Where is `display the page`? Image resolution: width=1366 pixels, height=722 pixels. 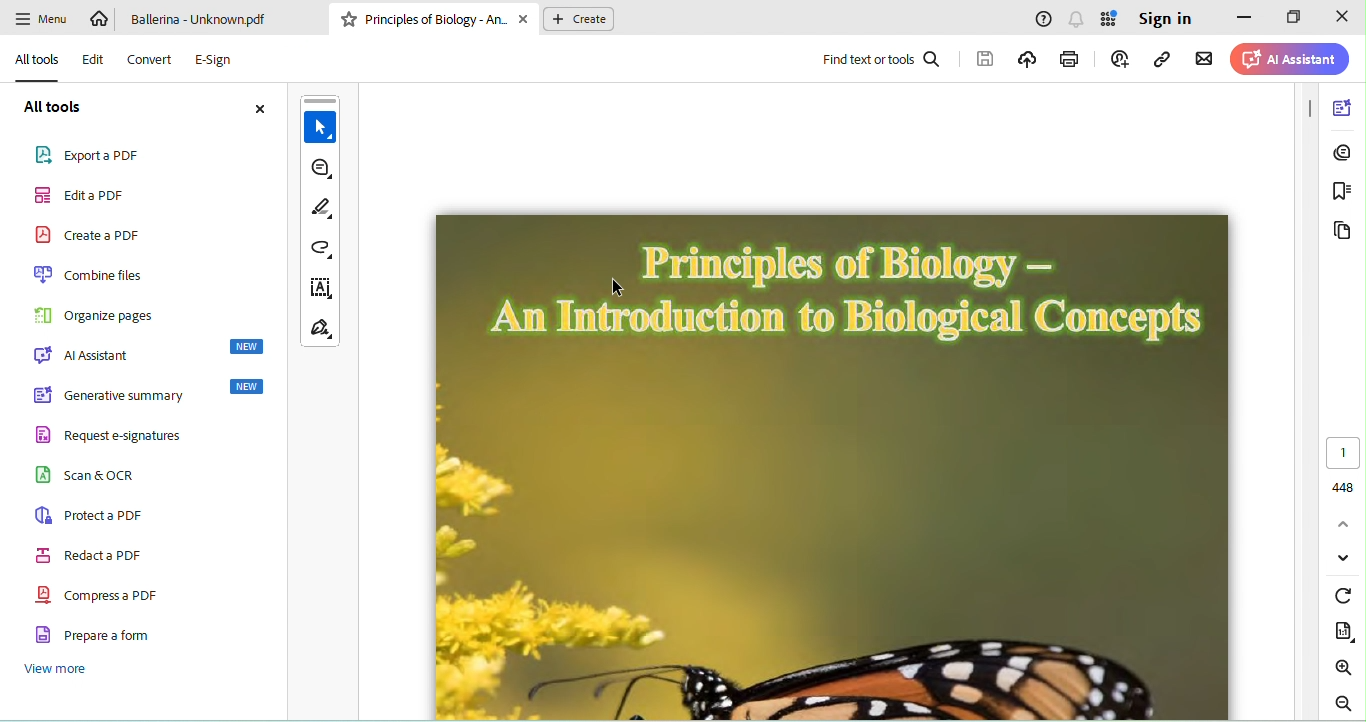
display the page is located at coordinates (1341, 629).